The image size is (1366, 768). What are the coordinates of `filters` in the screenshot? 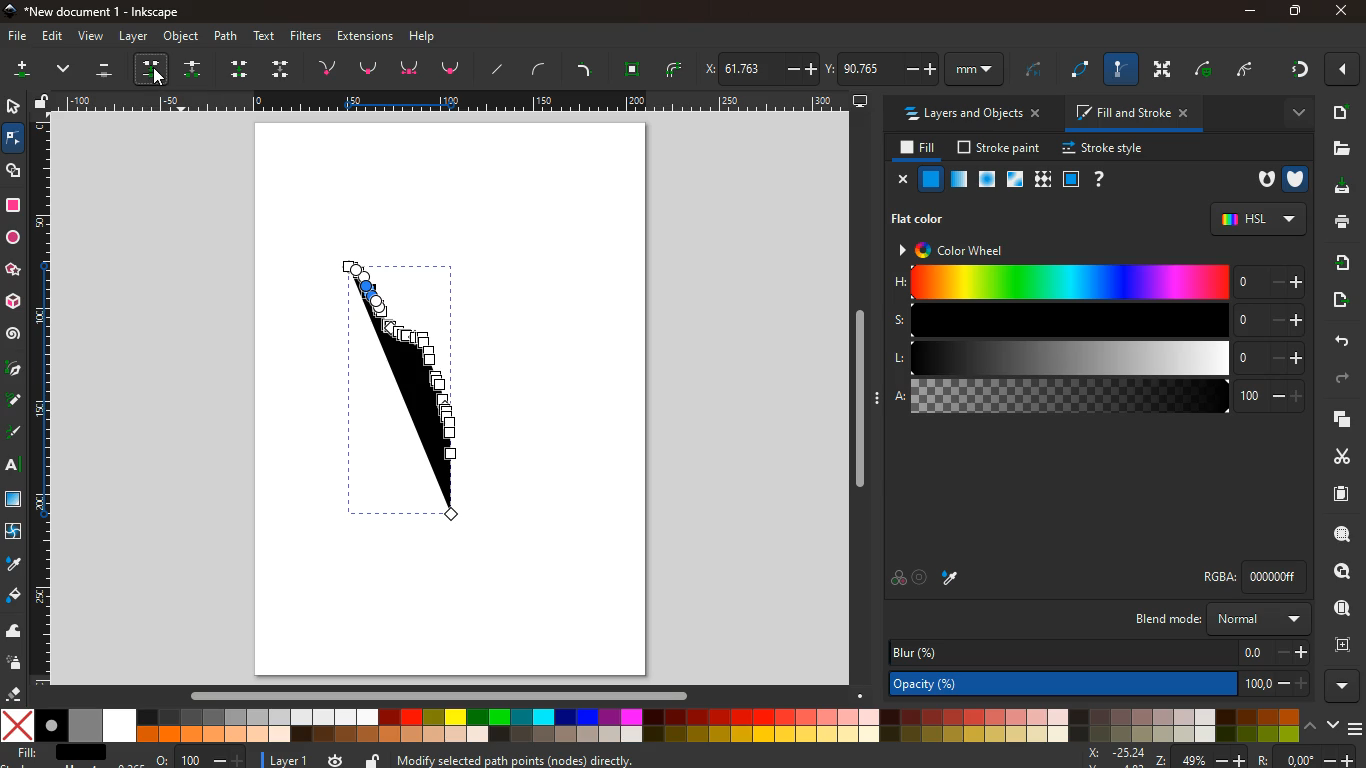 It's located at (309, 36).